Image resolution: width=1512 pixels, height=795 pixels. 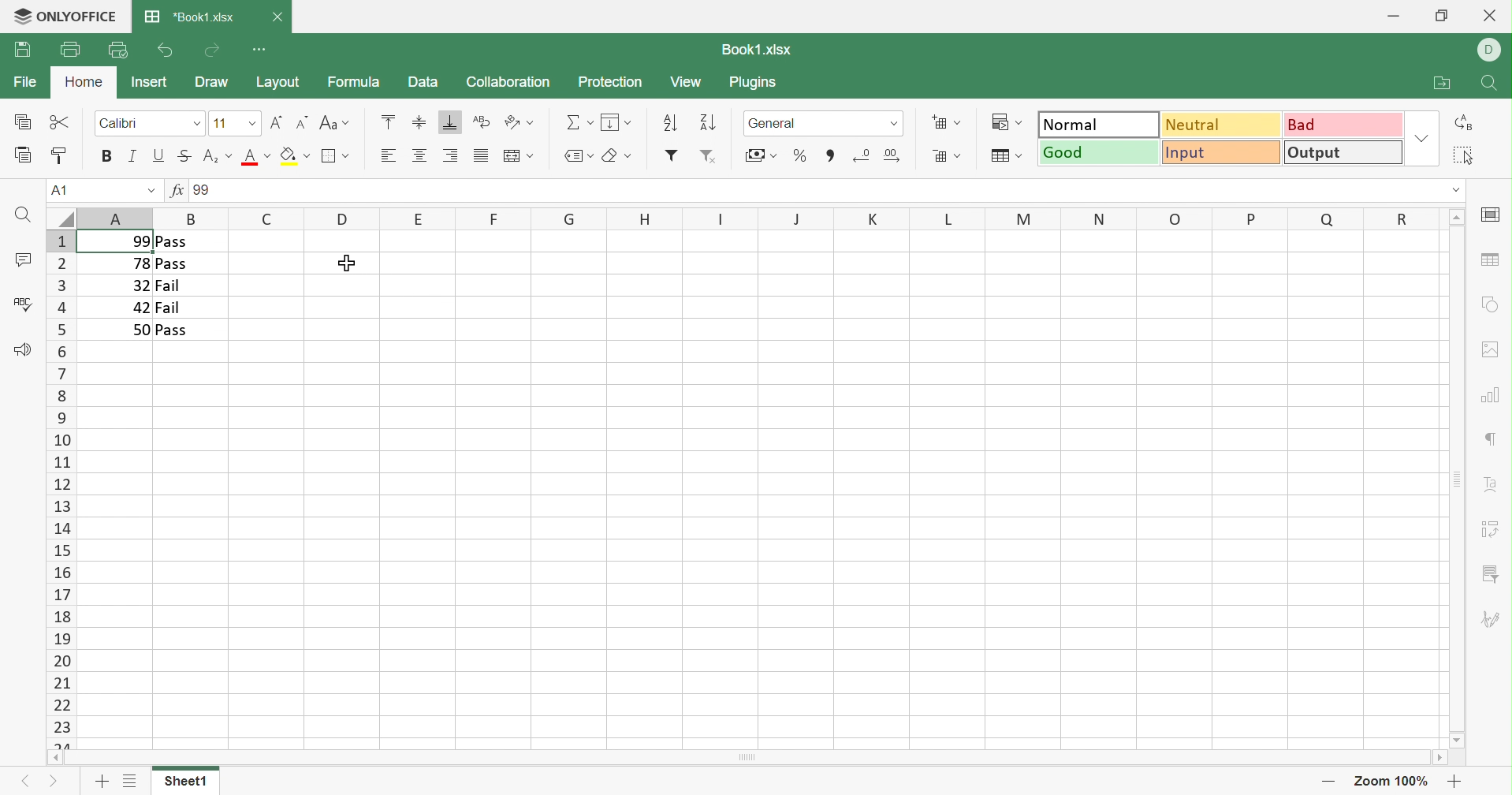 What do you see at coordinates (102, 783) in the screenshot?
I see `Add sheet` at bounding box center [102, 783].